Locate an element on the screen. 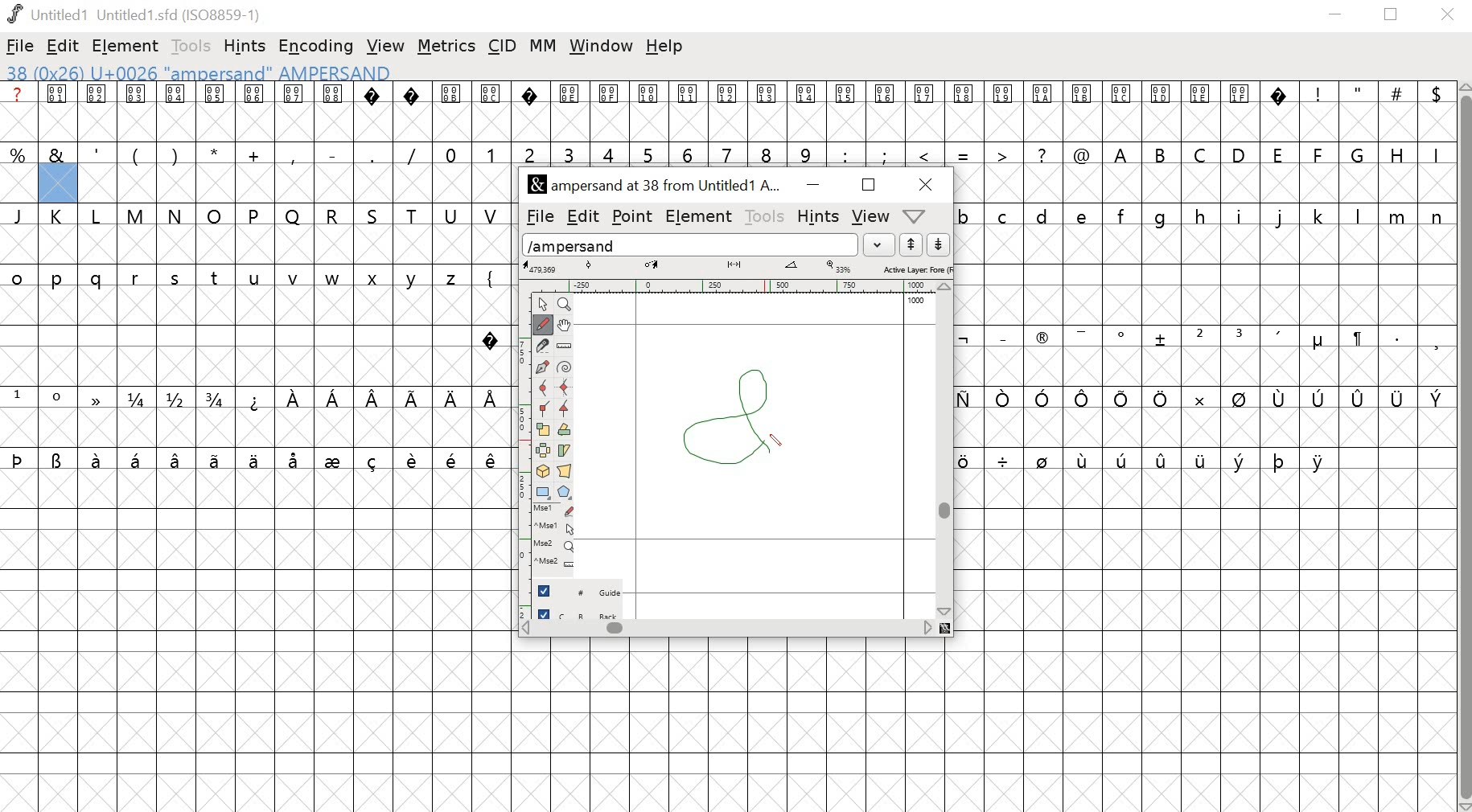 The image size is (1472, 812). = is located at coordinates (964, 154).